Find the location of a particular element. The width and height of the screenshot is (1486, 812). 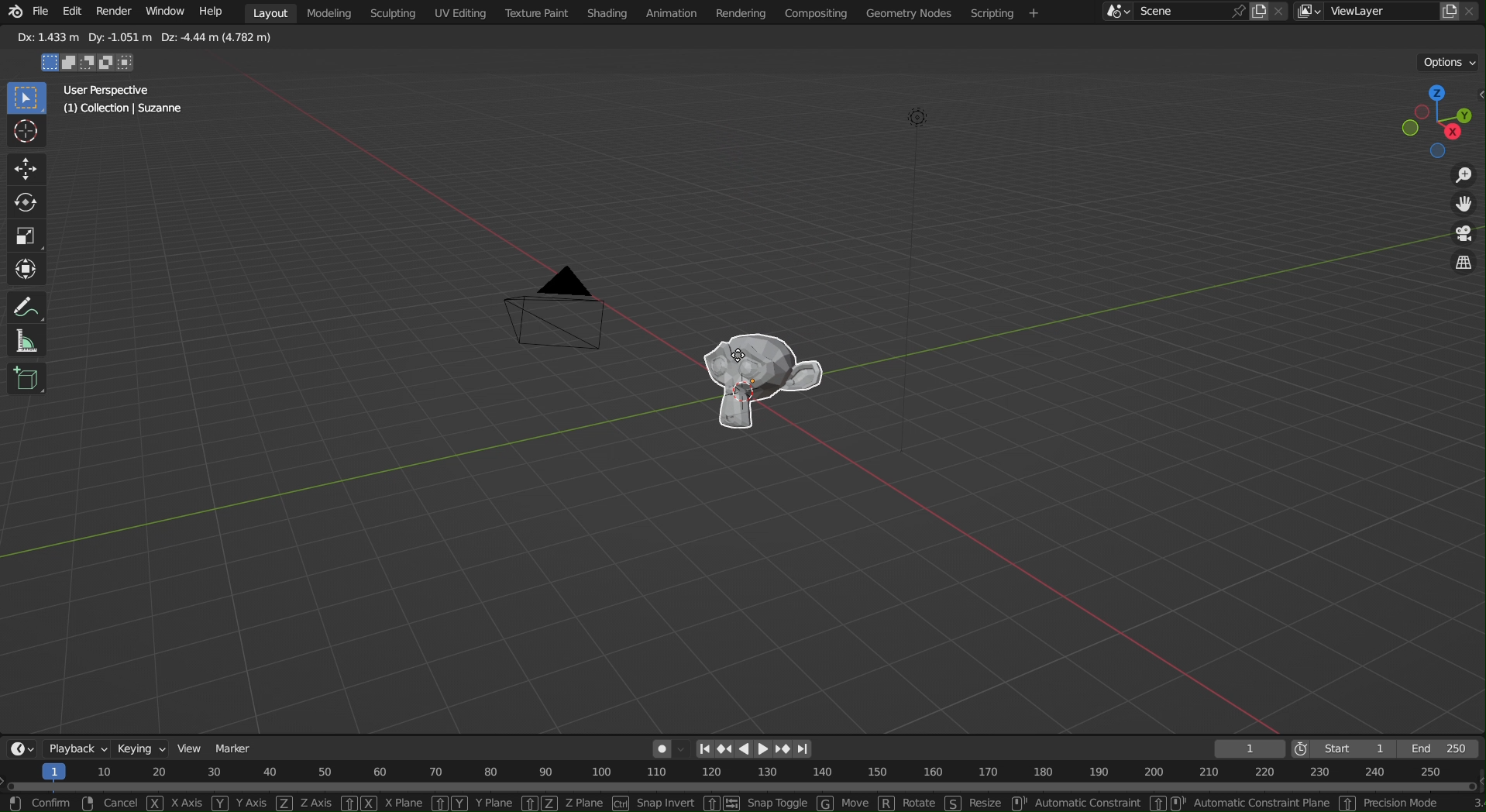

S is located at coordinates (952, 803).